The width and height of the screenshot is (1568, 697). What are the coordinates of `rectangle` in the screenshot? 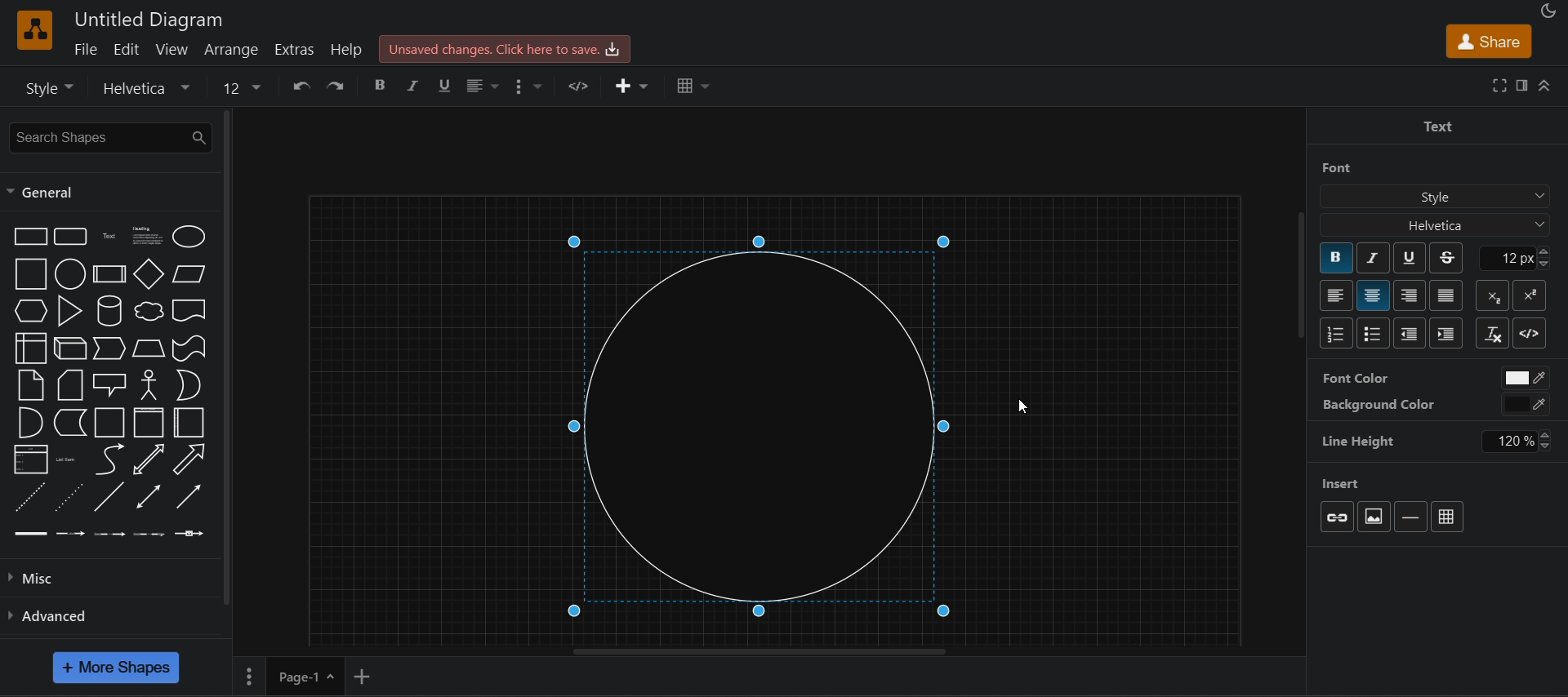 It's located at (29, 237).